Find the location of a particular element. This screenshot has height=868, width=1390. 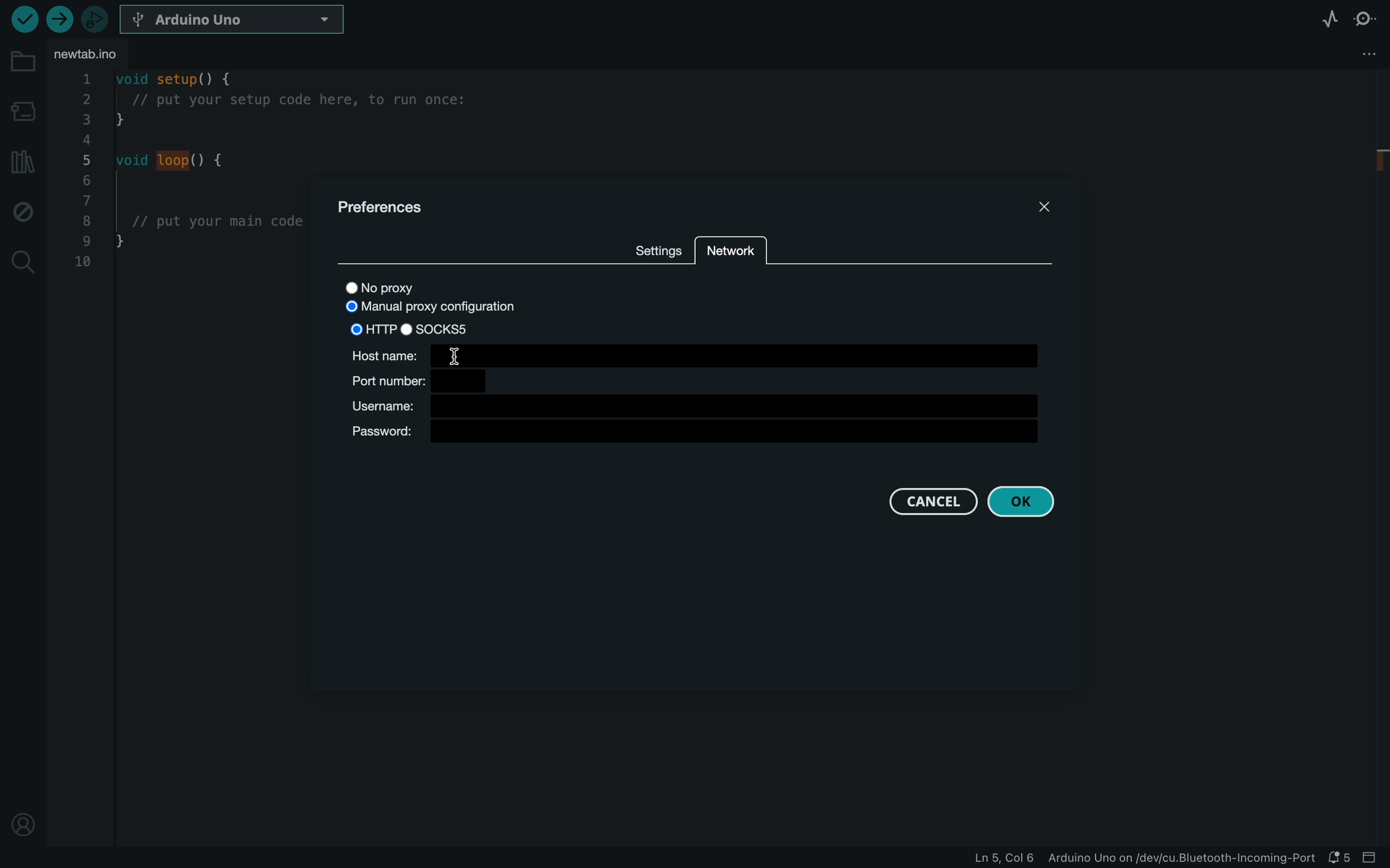

notification is located at coordinates (1341, 858).